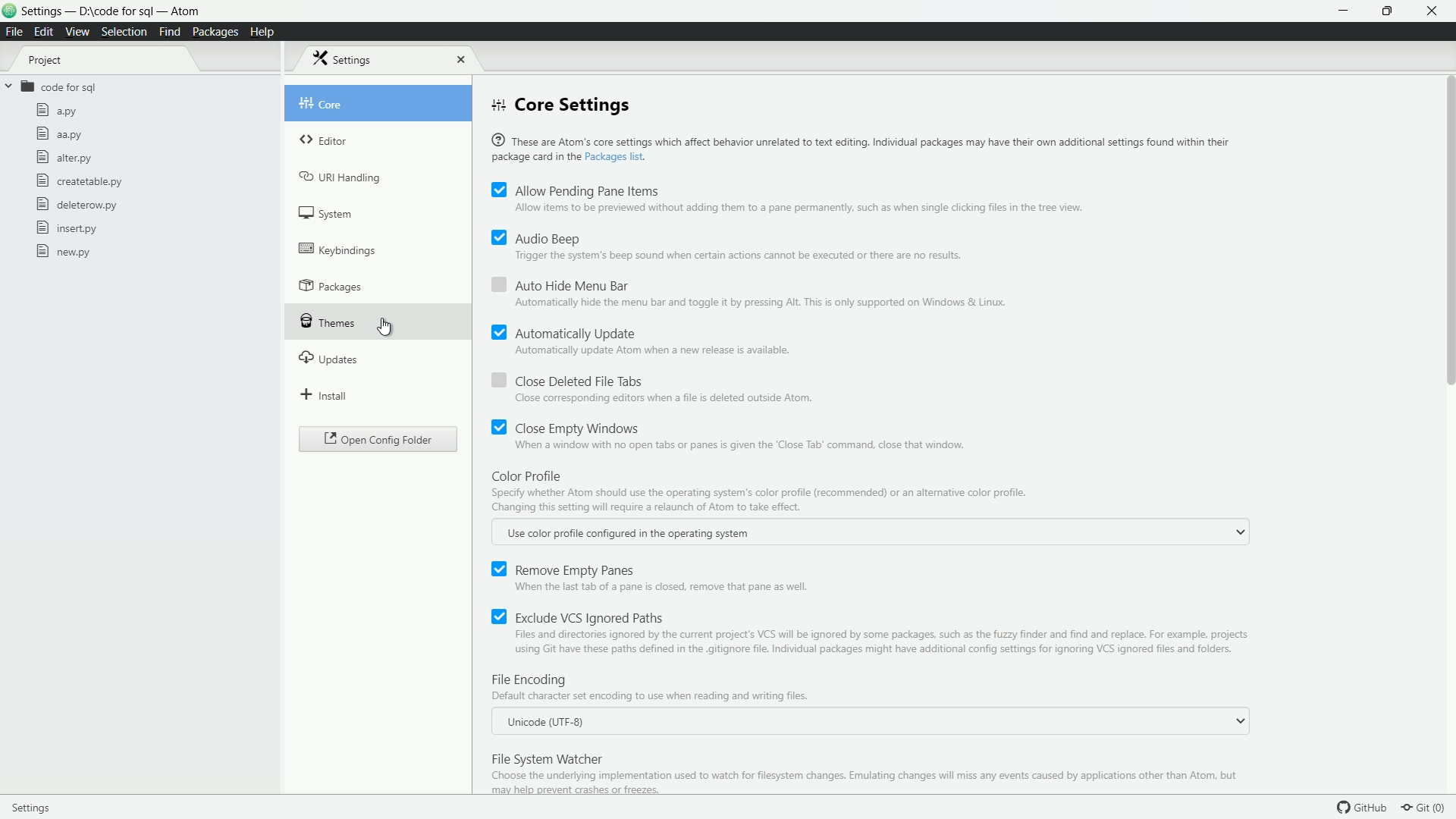  Describe the element at coordinates (1364, 807) in the screenshot. I see `github` at that location.